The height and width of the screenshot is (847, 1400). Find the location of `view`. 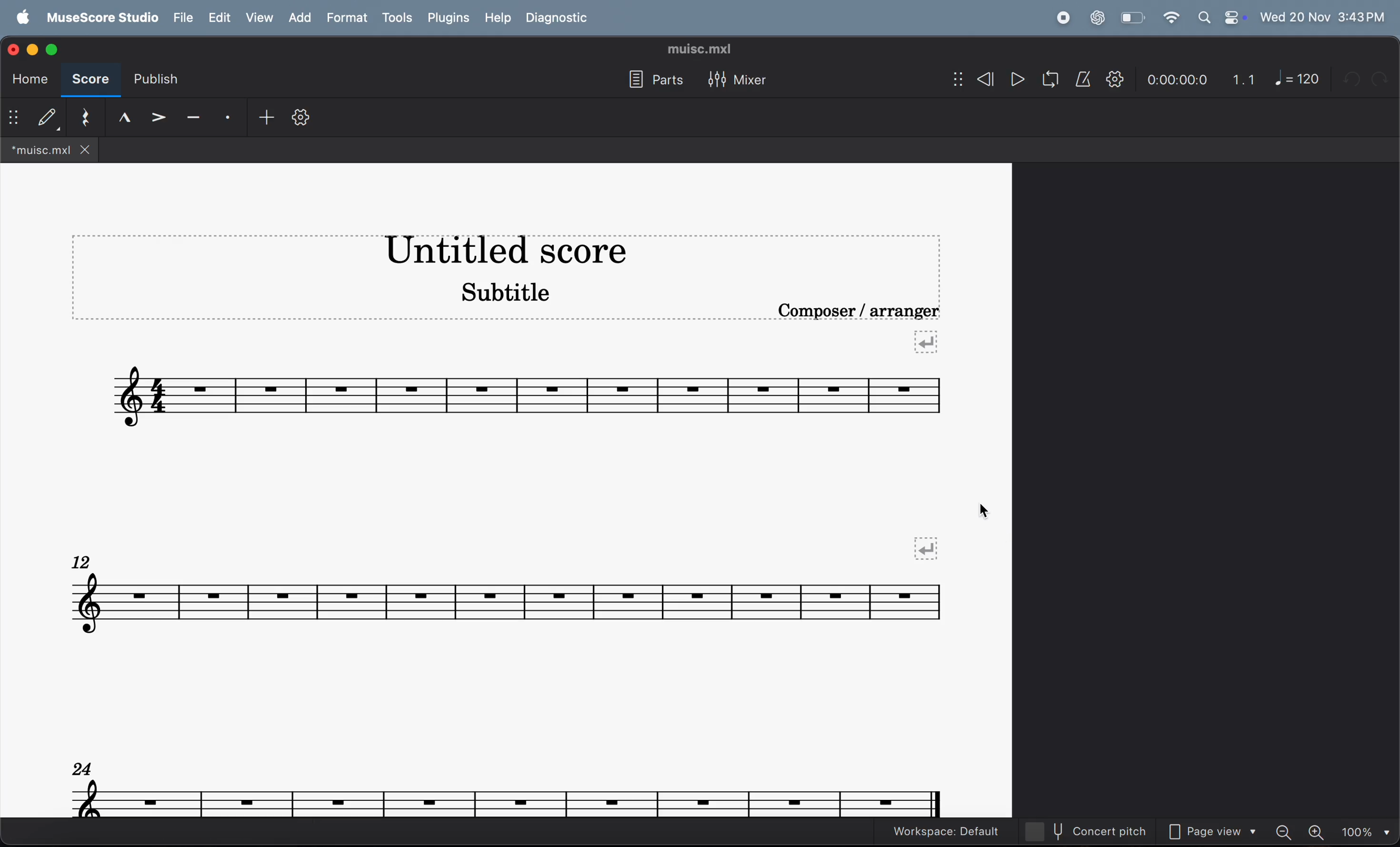

view is located at coordinates (257, 17).